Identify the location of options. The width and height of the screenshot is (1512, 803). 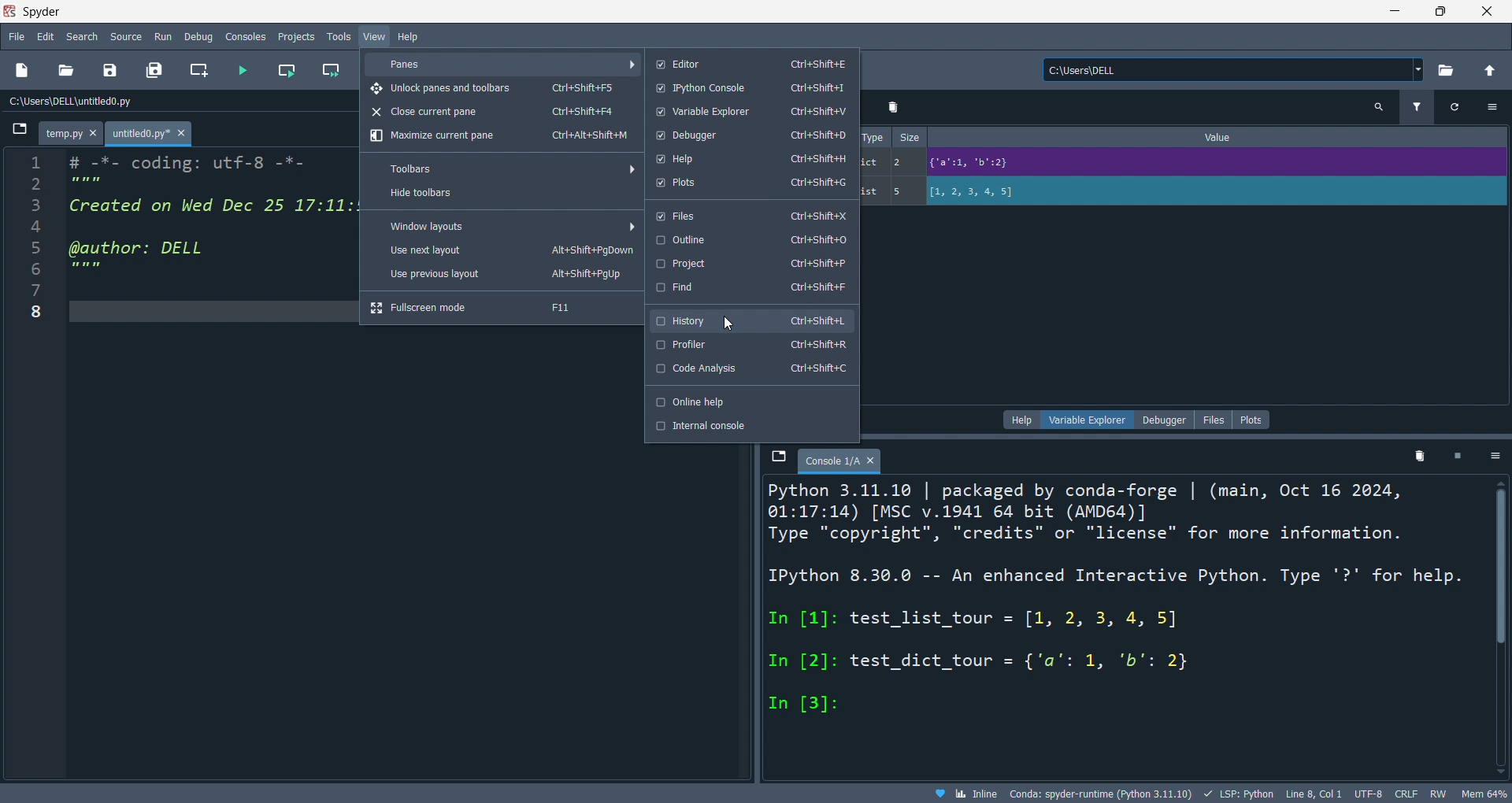
(1492, 106).